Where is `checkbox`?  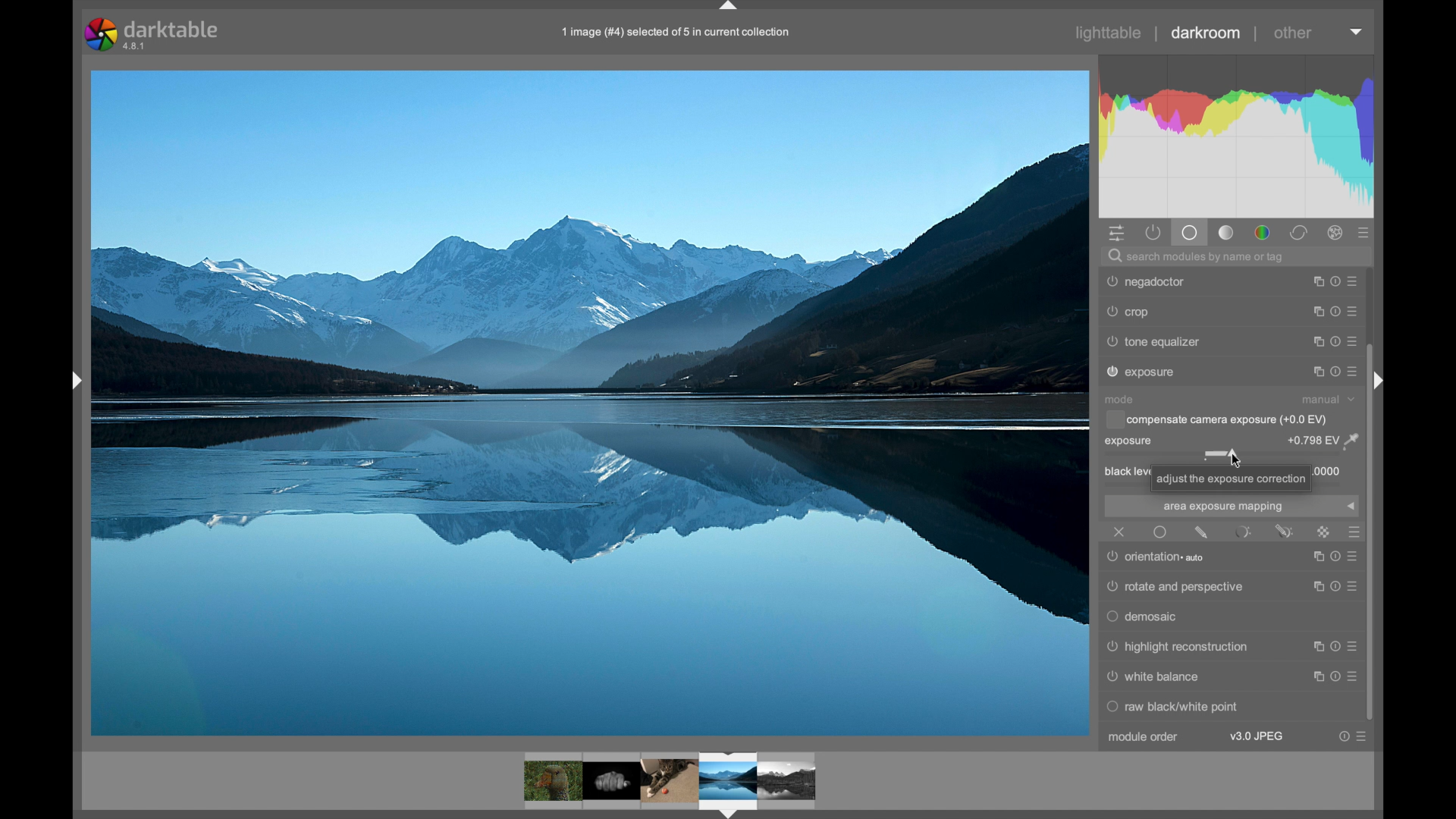
checkbox is located at coordinates (1216, 419).